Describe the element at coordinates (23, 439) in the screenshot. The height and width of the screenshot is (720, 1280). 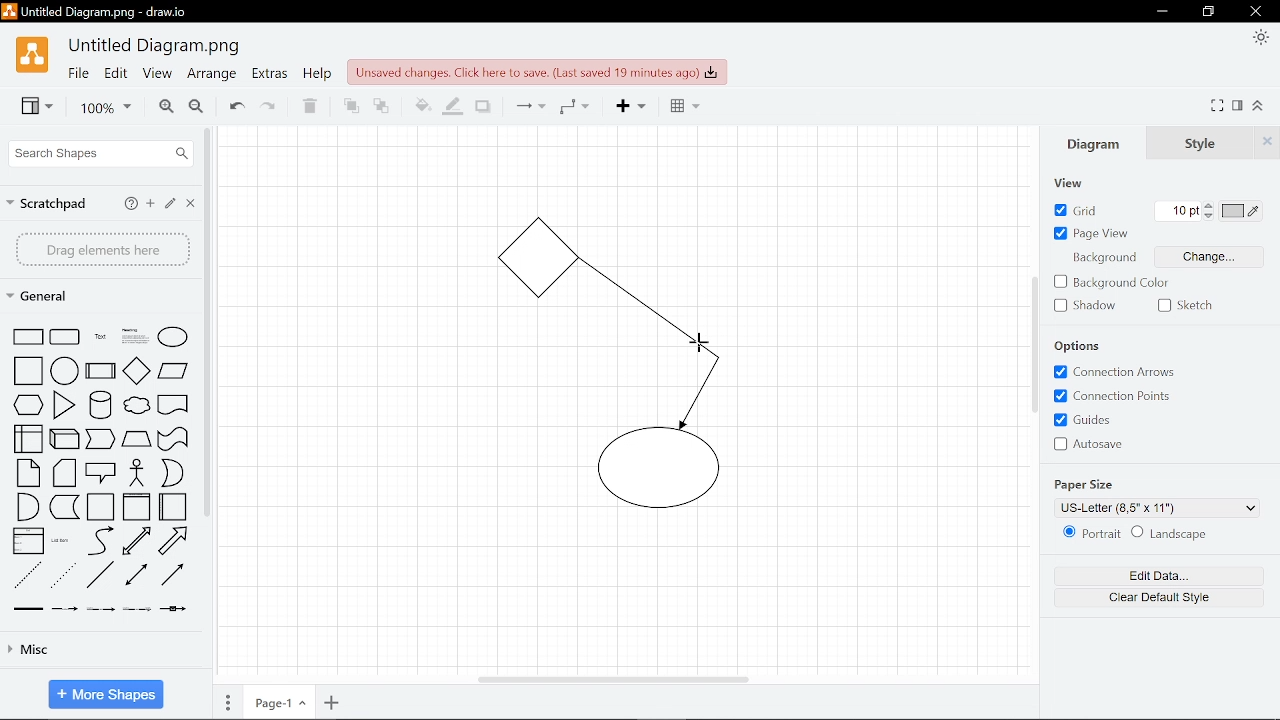
I see `shape` at that location.